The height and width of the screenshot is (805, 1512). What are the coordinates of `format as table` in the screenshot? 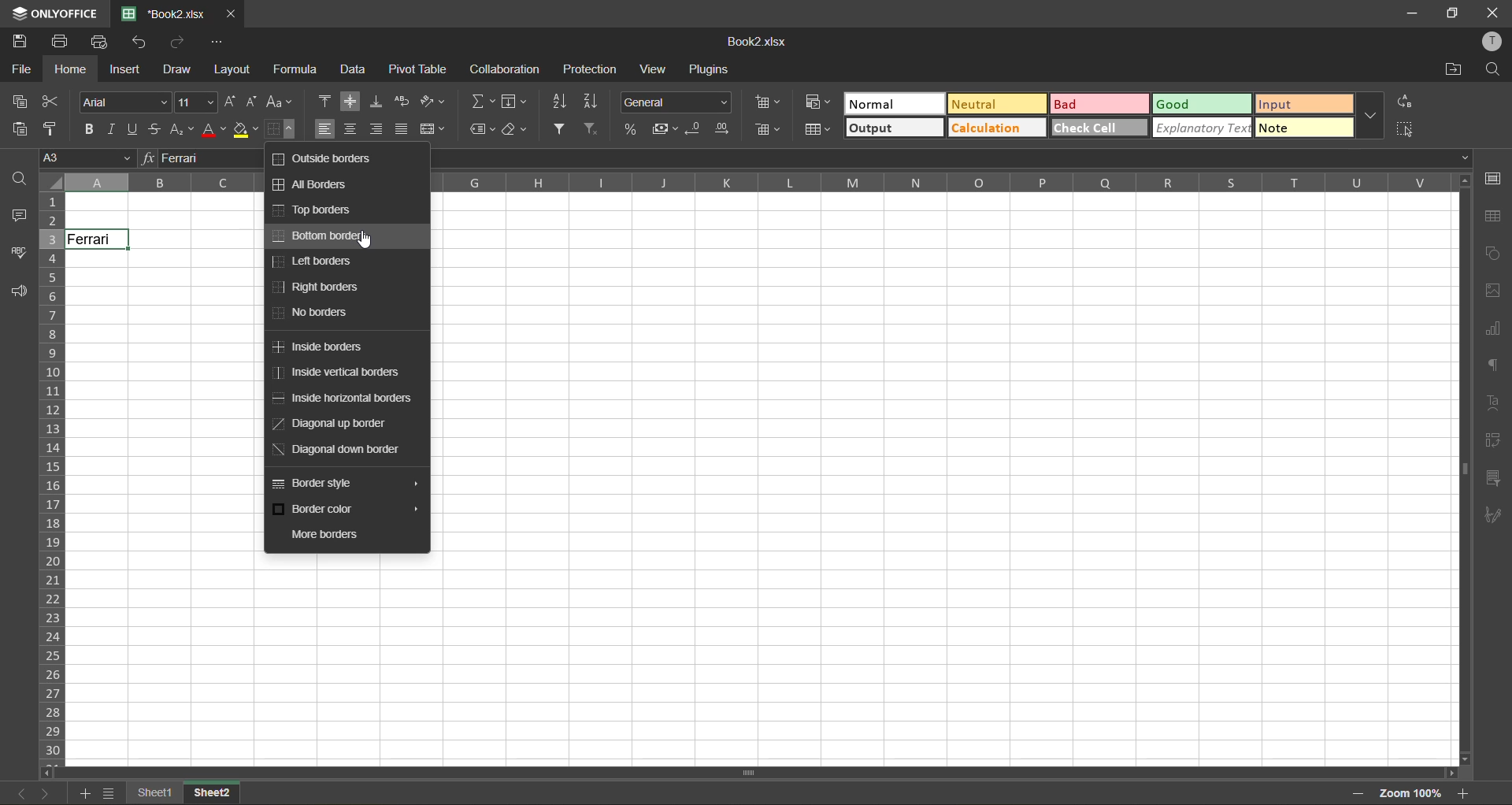 It's located at (817, 131).